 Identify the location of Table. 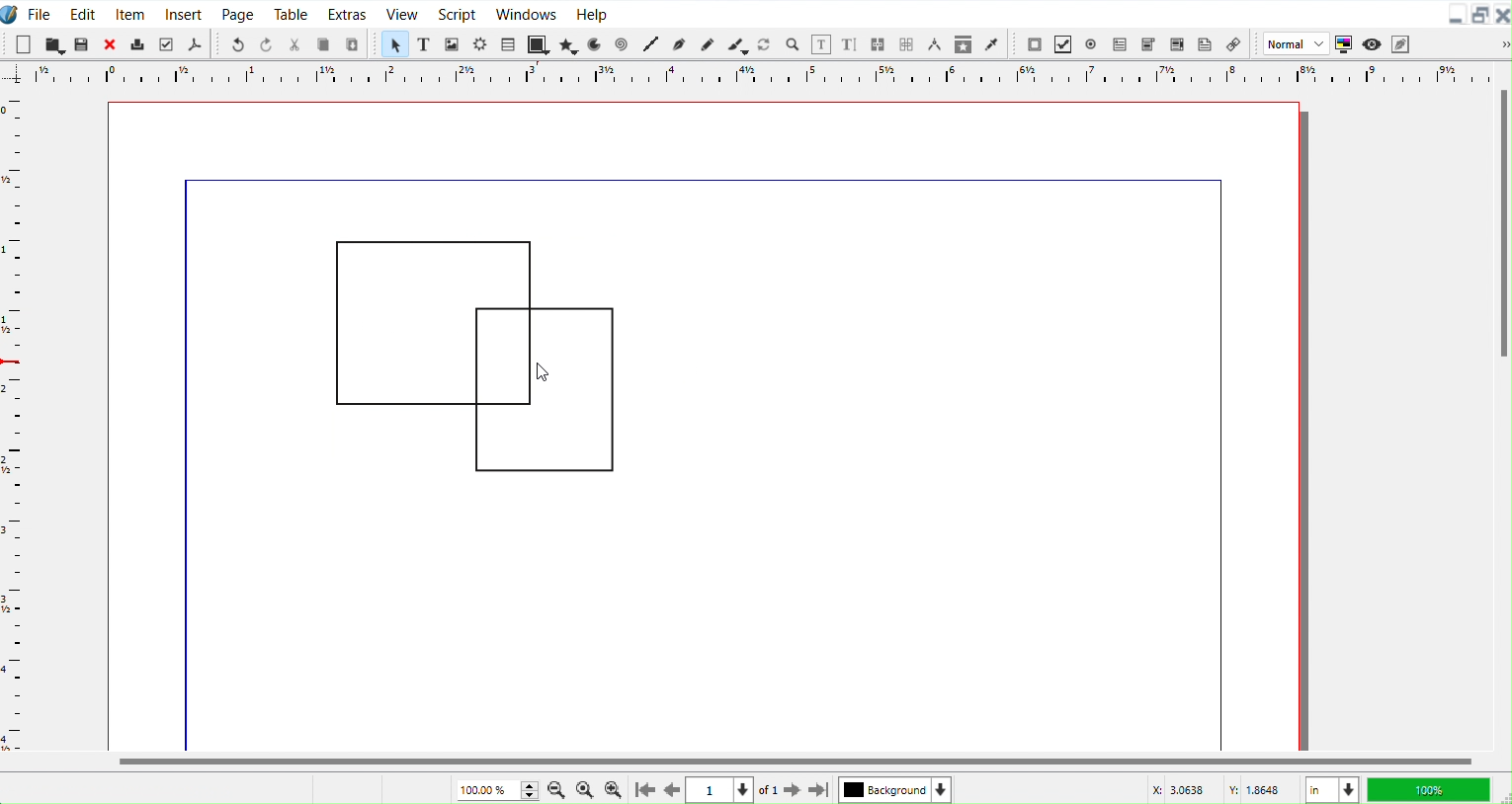
(292, 13).